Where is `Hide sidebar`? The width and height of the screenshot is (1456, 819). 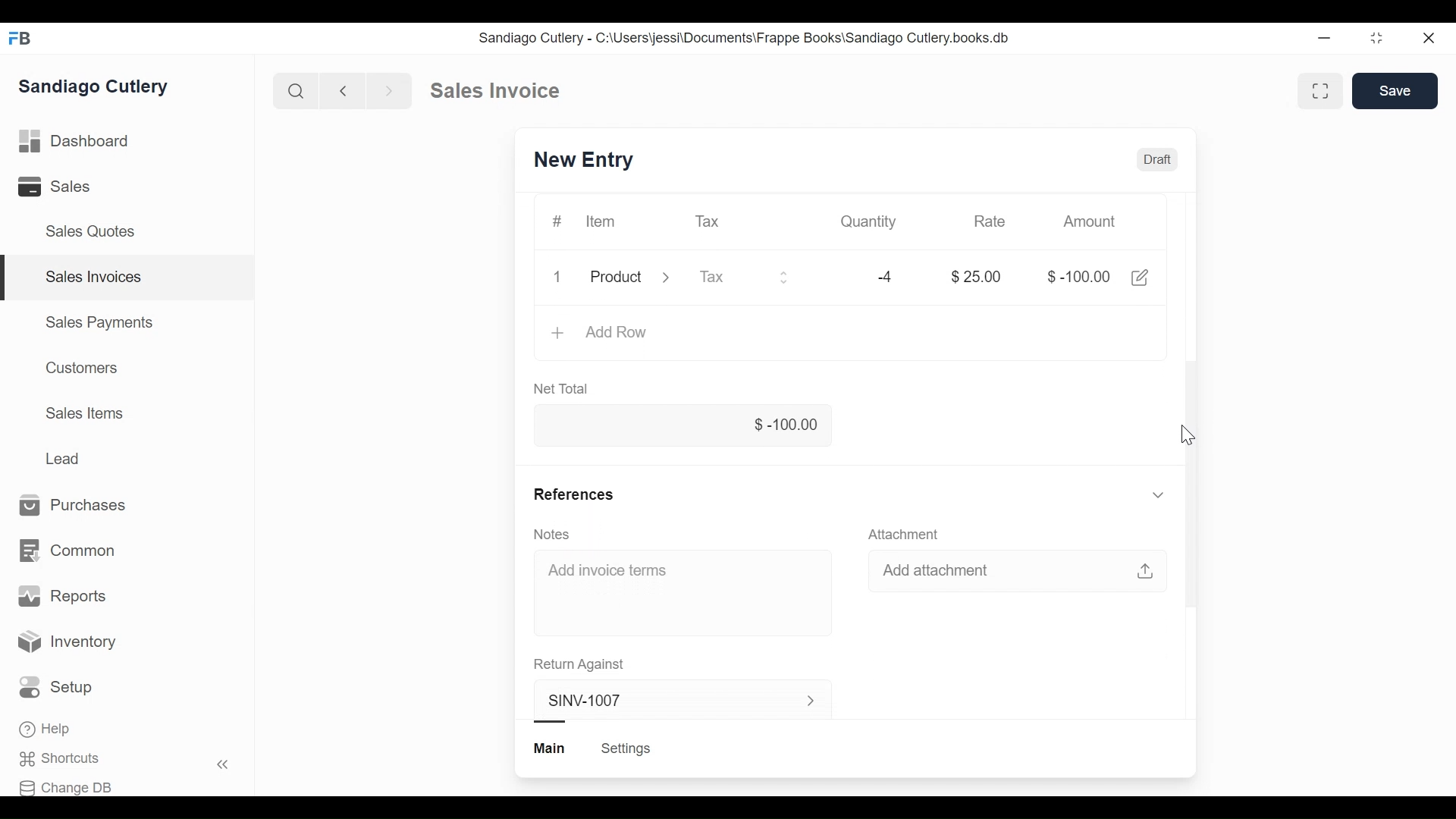
Hide sidebar is located at coordinates (224, 764).